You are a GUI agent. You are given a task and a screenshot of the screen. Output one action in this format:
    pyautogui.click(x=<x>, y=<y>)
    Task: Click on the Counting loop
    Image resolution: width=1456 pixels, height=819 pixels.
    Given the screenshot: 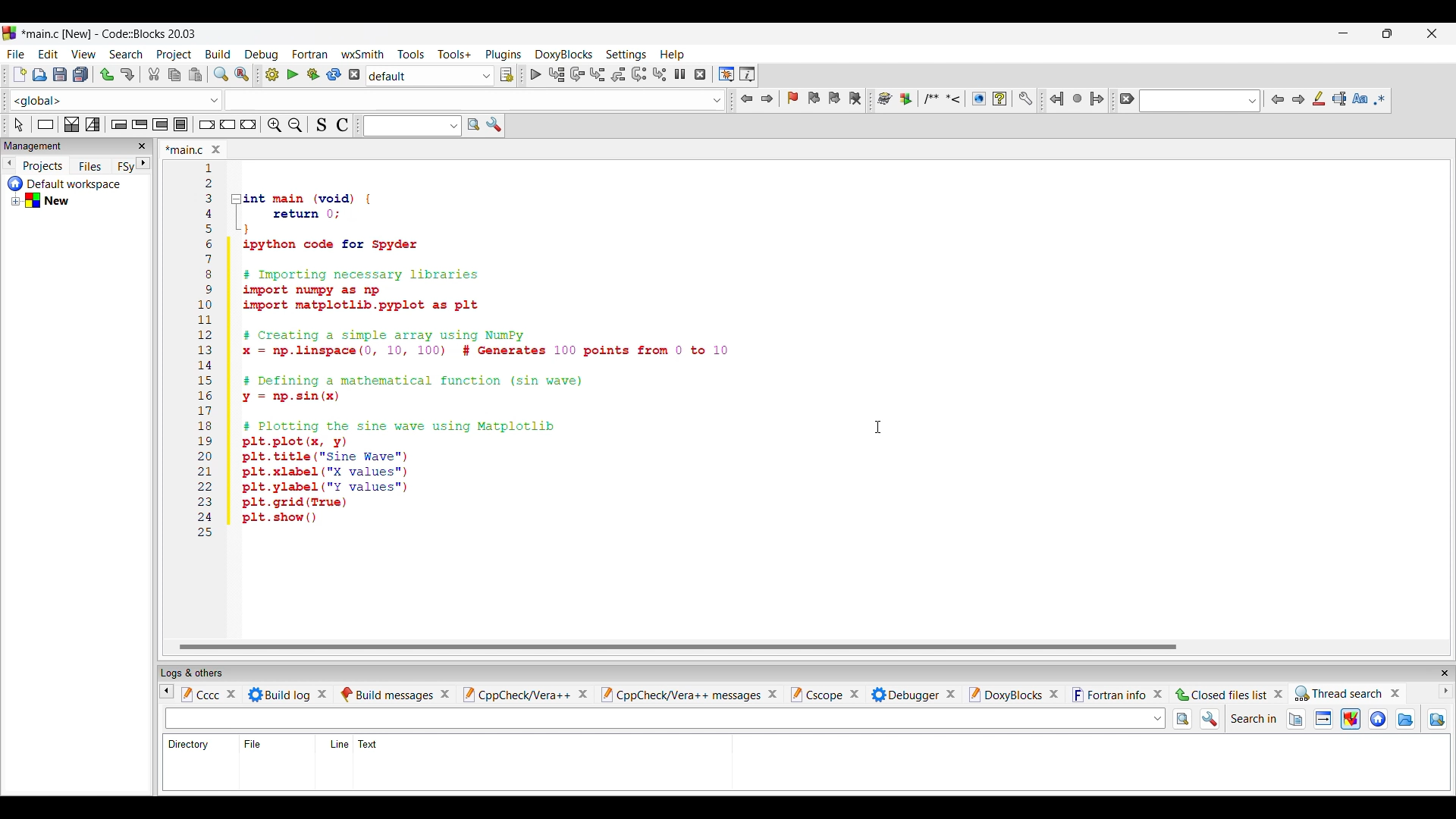 What is the action you would take?
    pyautogui.click(x=158, y=125)
    